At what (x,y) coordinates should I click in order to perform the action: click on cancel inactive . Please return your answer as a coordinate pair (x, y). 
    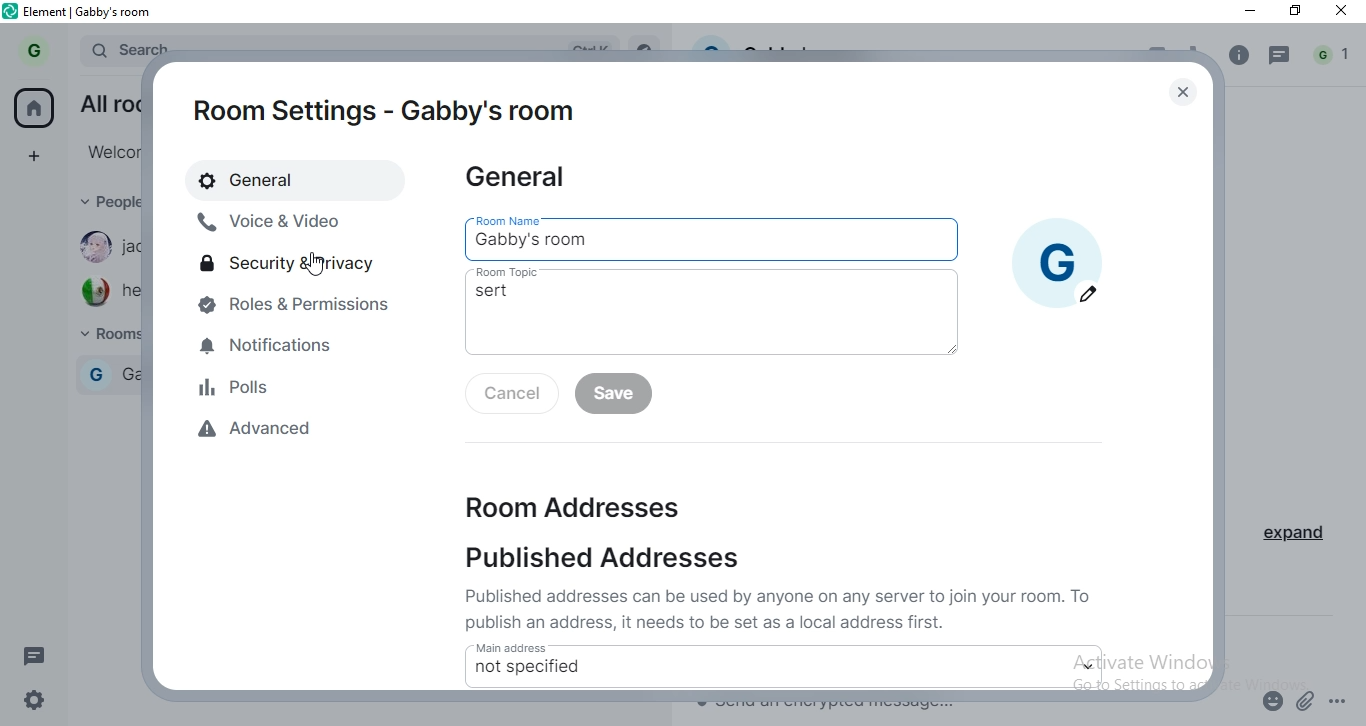
    Looking at the image, I should click on (511, 394).